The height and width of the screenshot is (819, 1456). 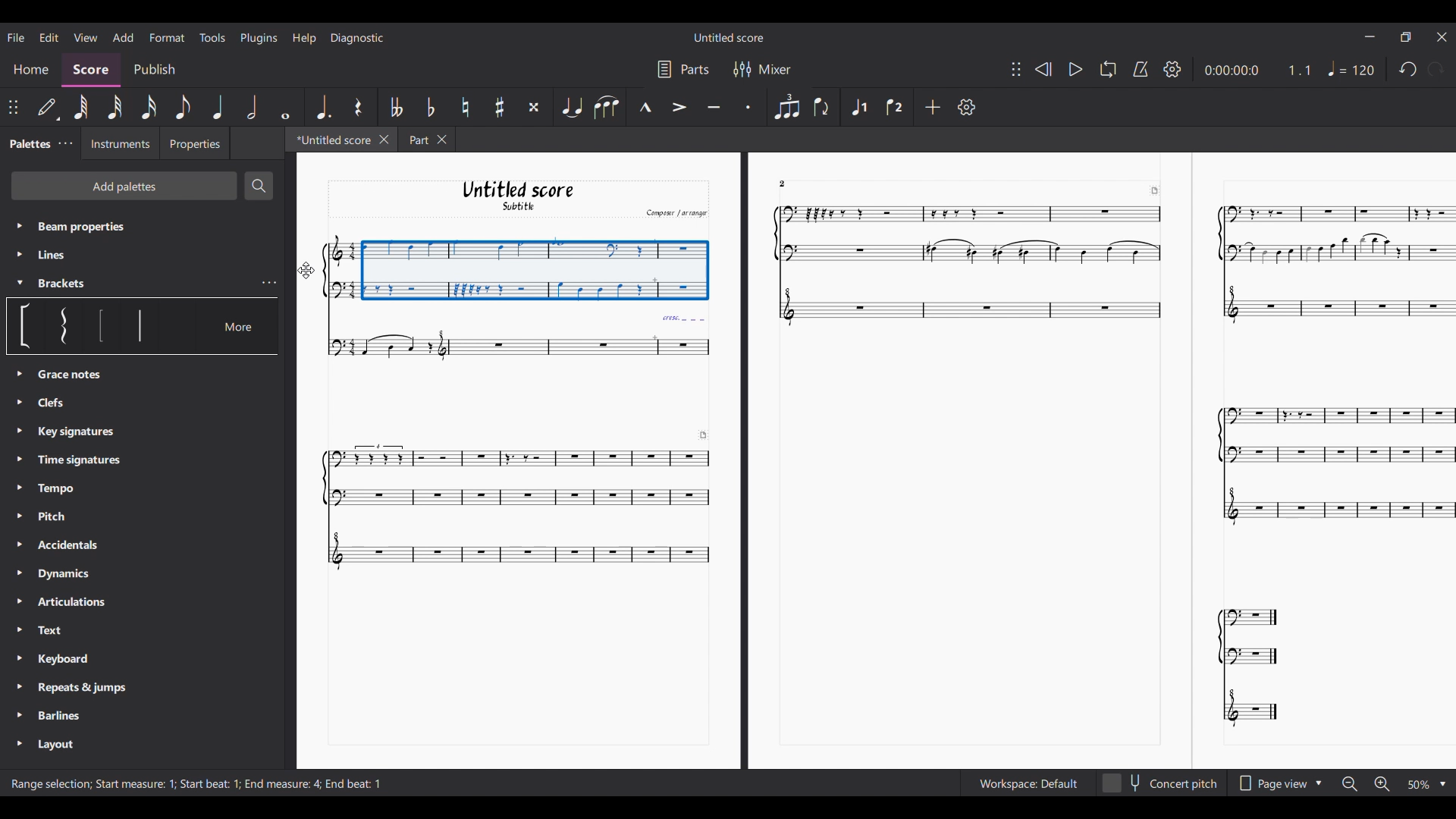 I want to click on , so click(x=973, y=215).